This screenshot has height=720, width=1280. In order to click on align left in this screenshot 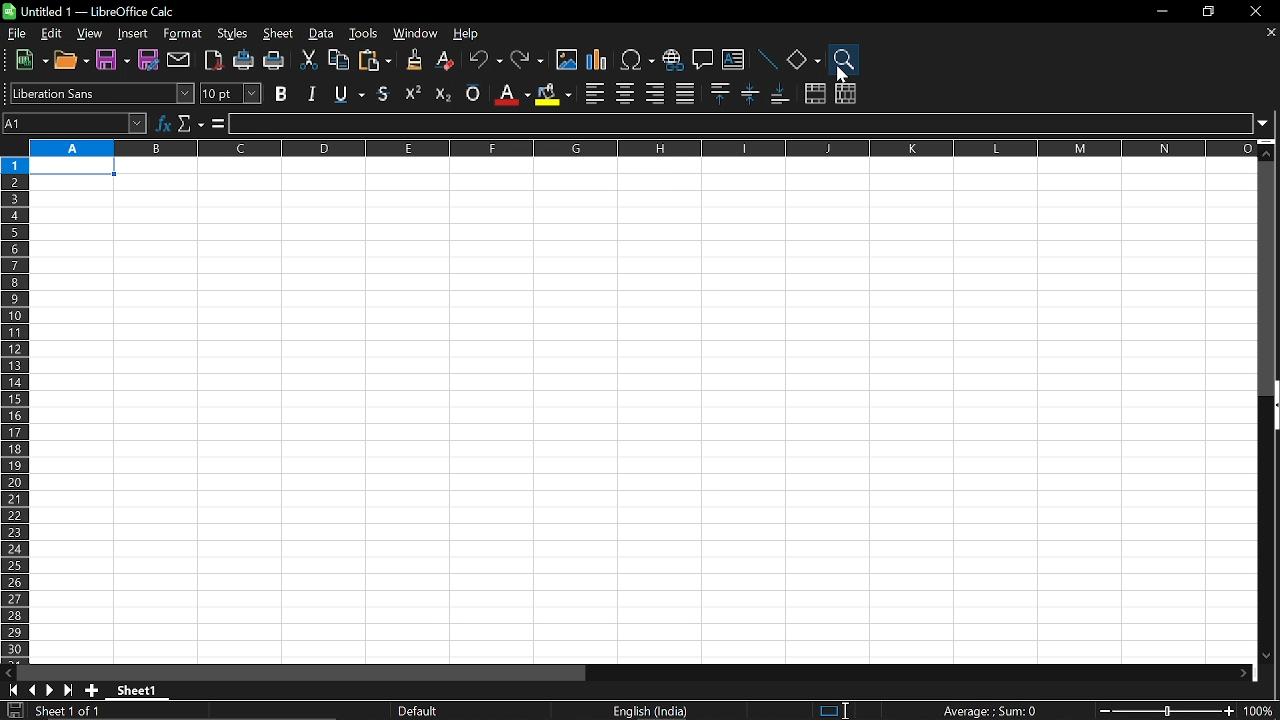, I will do `click(595, 94)`.